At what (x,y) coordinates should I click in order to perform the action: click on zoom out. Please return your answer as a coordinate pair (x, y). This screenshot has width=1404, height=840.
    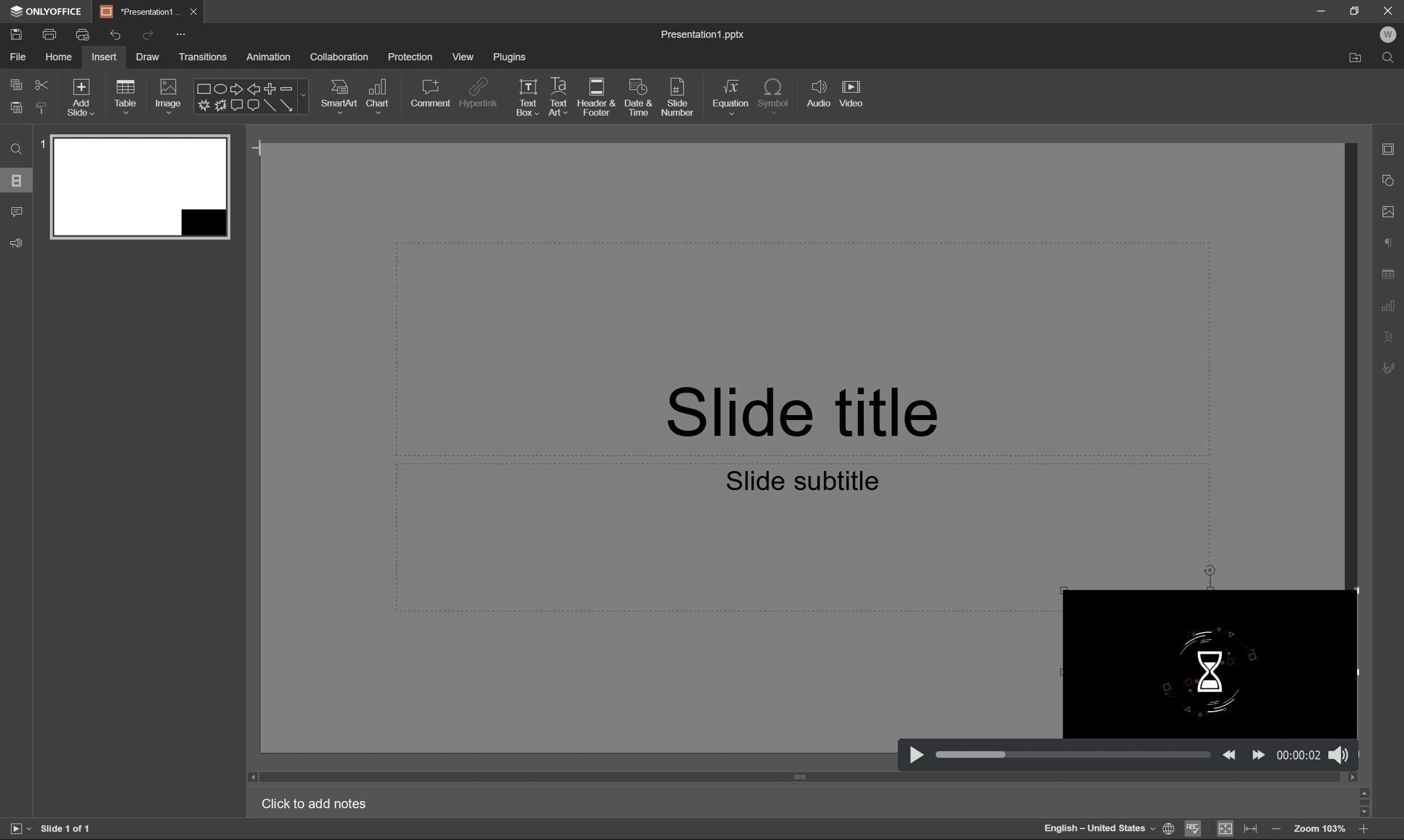
    Looking at the image, I should click on (1367, 832).